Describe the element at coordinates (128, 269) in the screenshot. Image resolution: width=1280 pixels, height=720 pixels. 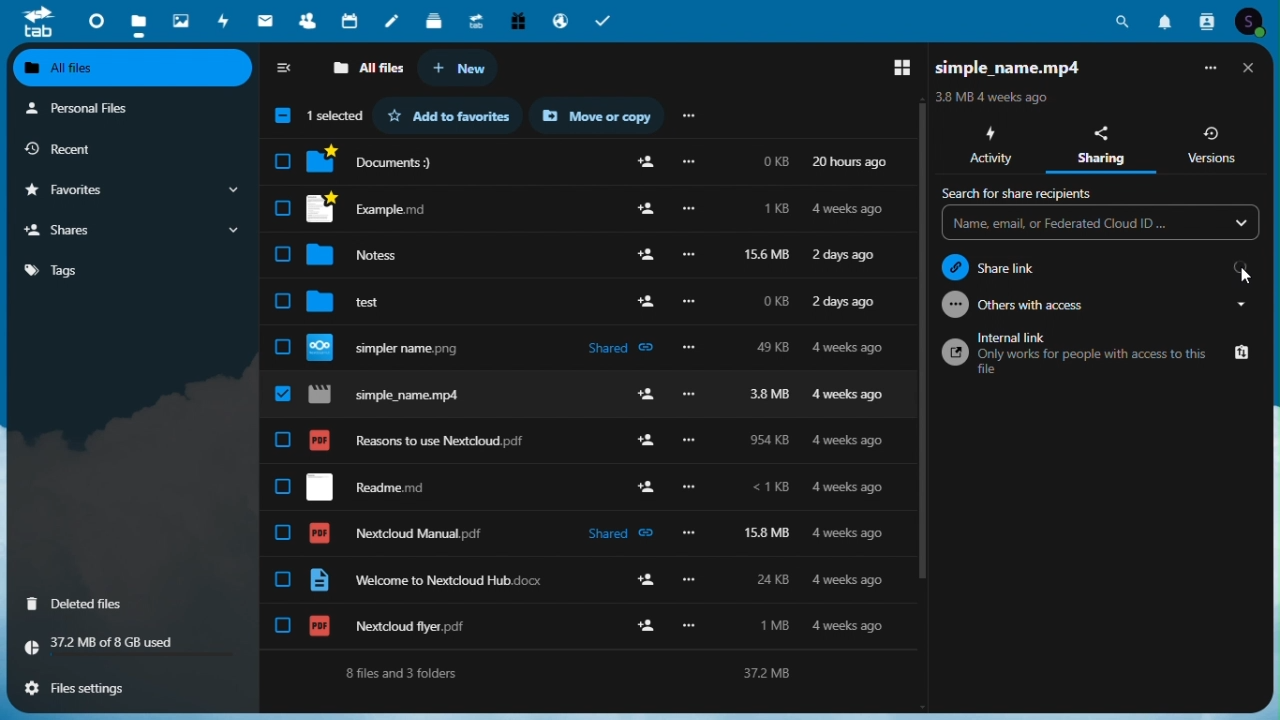
I see `Tags` at that location.